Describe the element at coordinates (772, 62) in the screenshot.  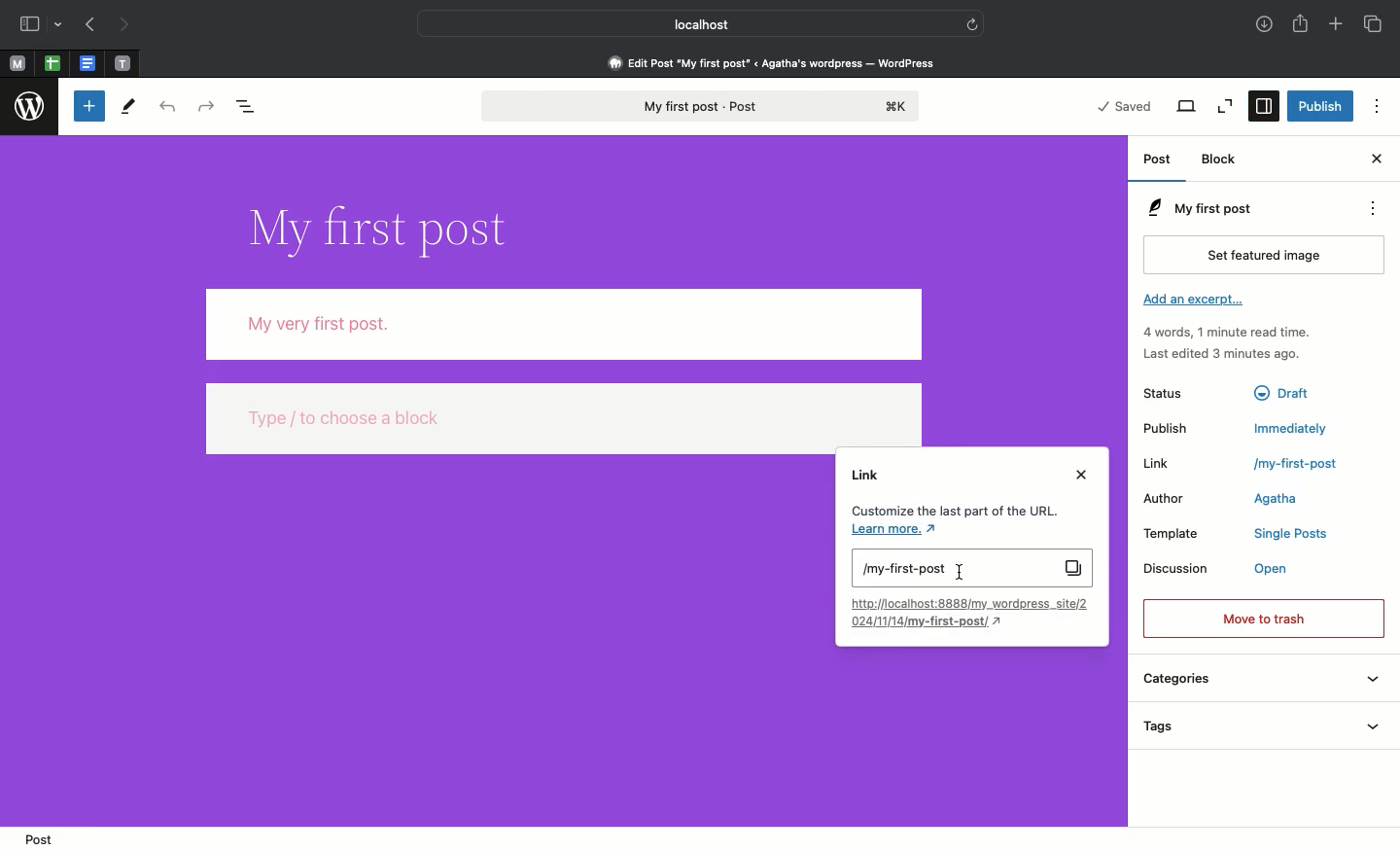
I see `Edit post 'my first post' < agatha's wordpress - wordpress` at that location.